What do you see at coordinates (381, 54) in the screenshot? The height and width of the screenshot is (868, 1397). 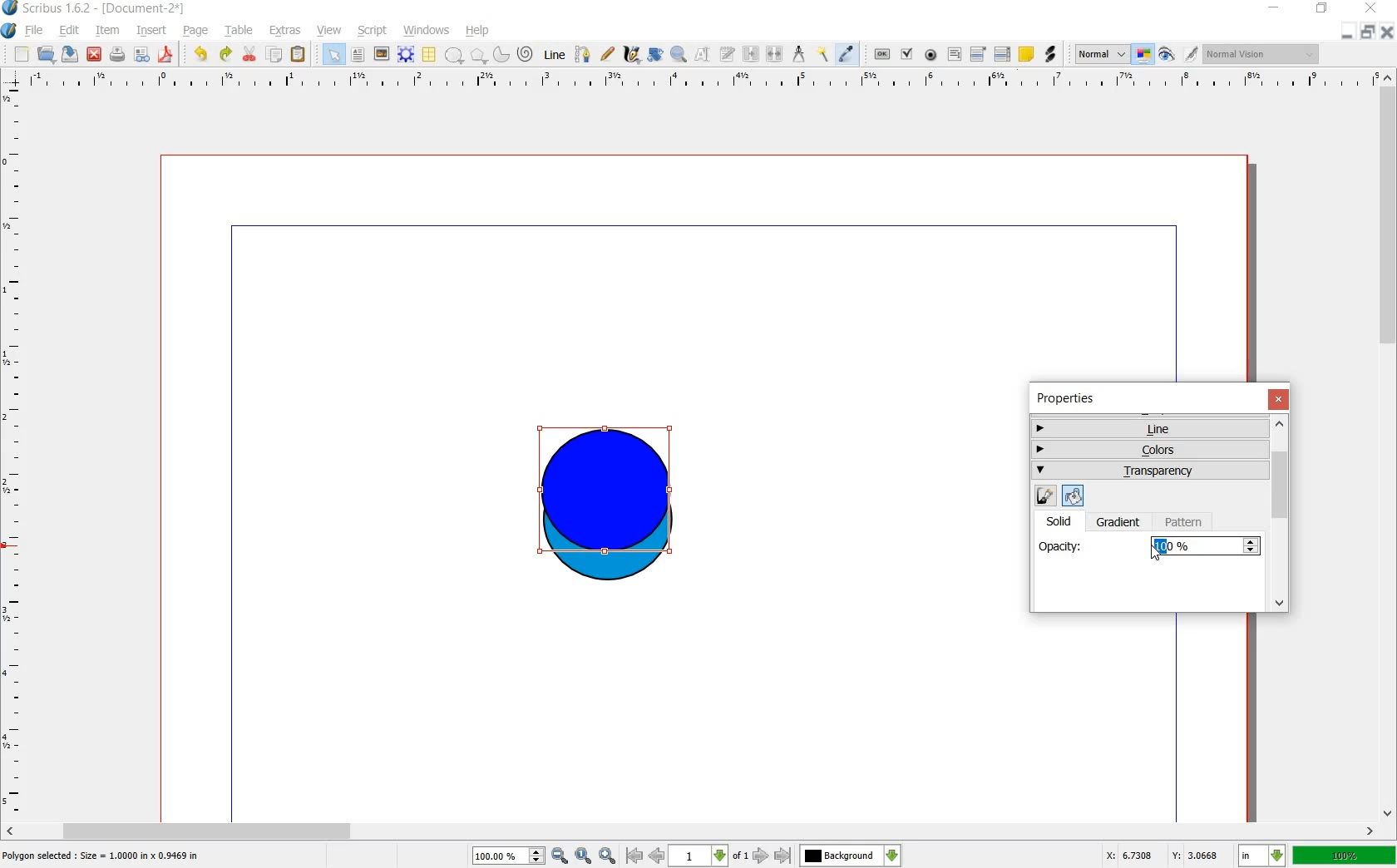 I see `image frame` at bounding box center [381, 54].